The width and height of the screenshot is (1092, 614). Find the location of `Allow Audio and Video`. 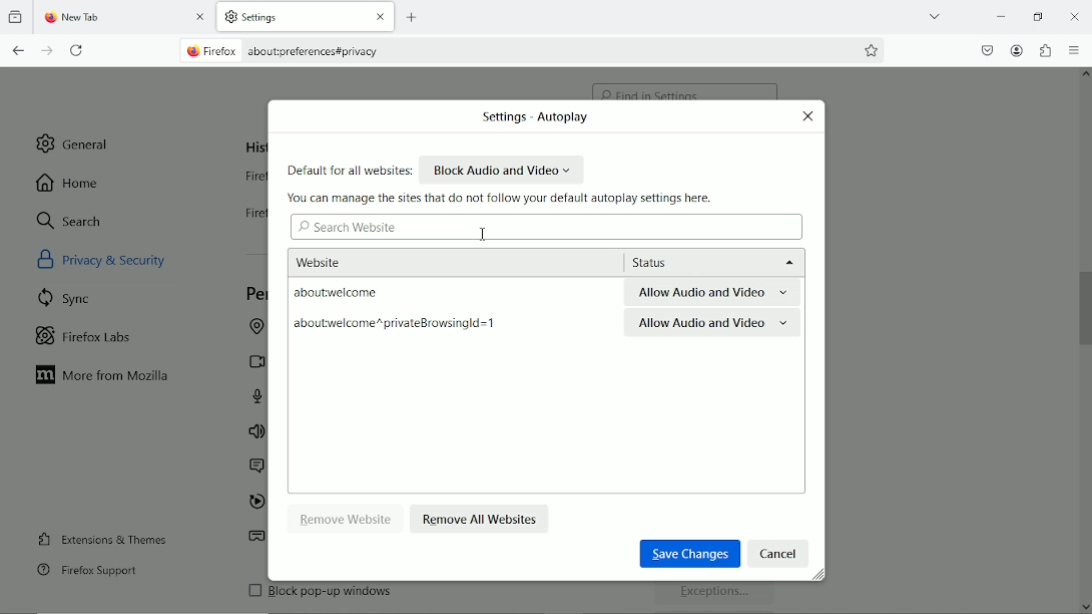

Allow Audio and Video is located at coordinates (714, 293).